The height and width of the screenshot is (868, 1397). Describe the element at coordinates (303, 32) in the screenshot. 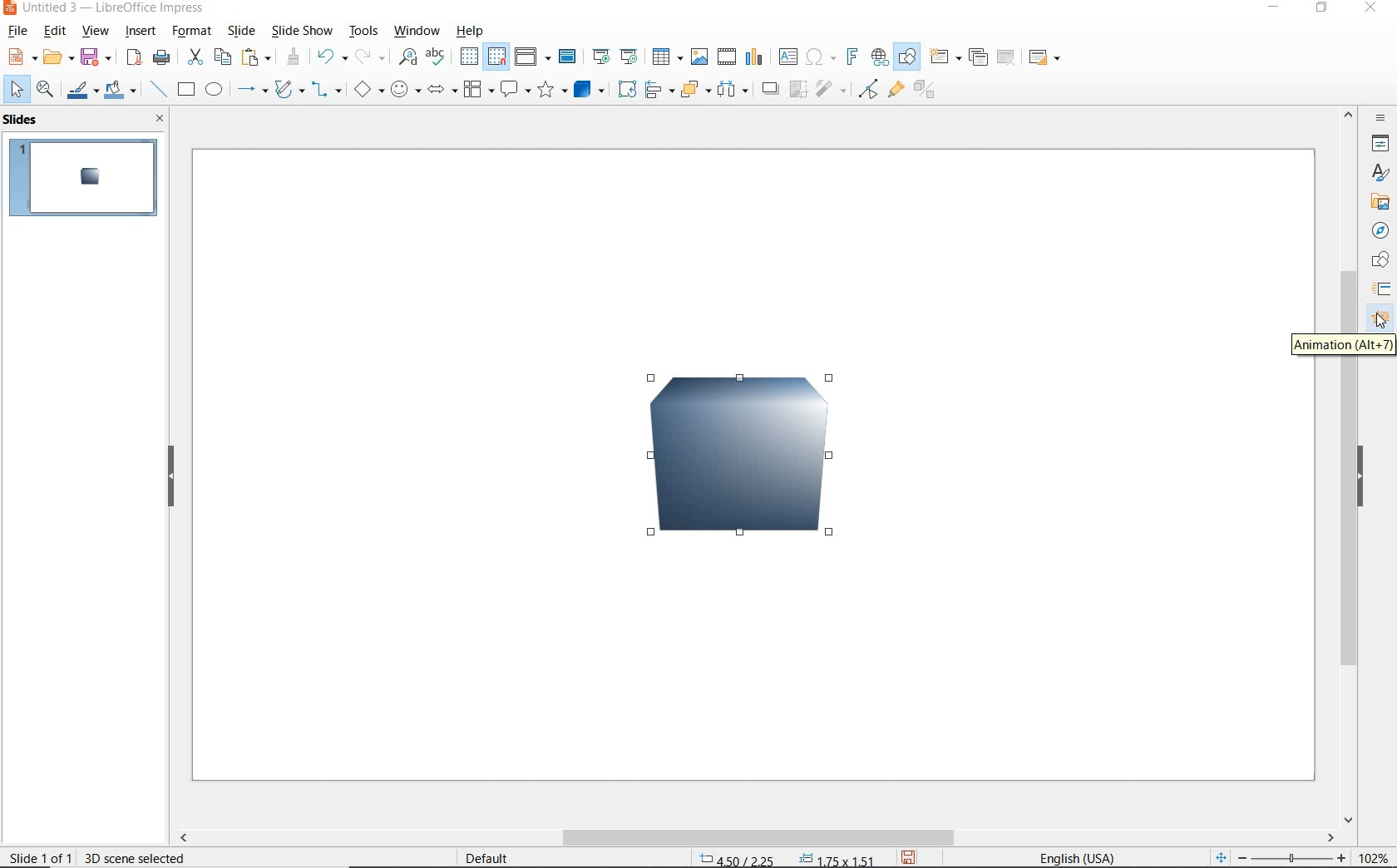

I see `slide show` at that location.